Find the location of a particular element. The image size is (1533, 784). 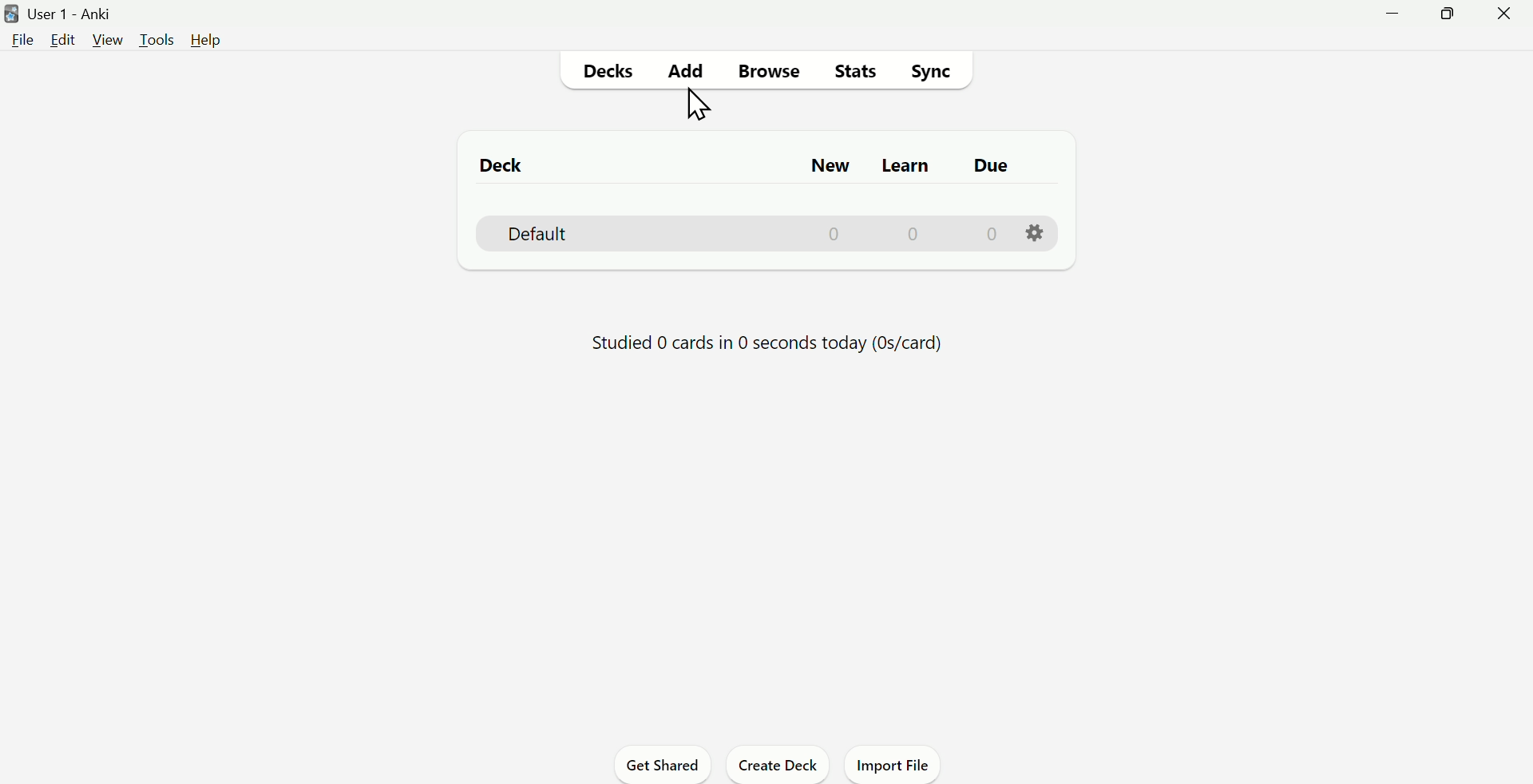

Tools is located at coordinates (159, 38).